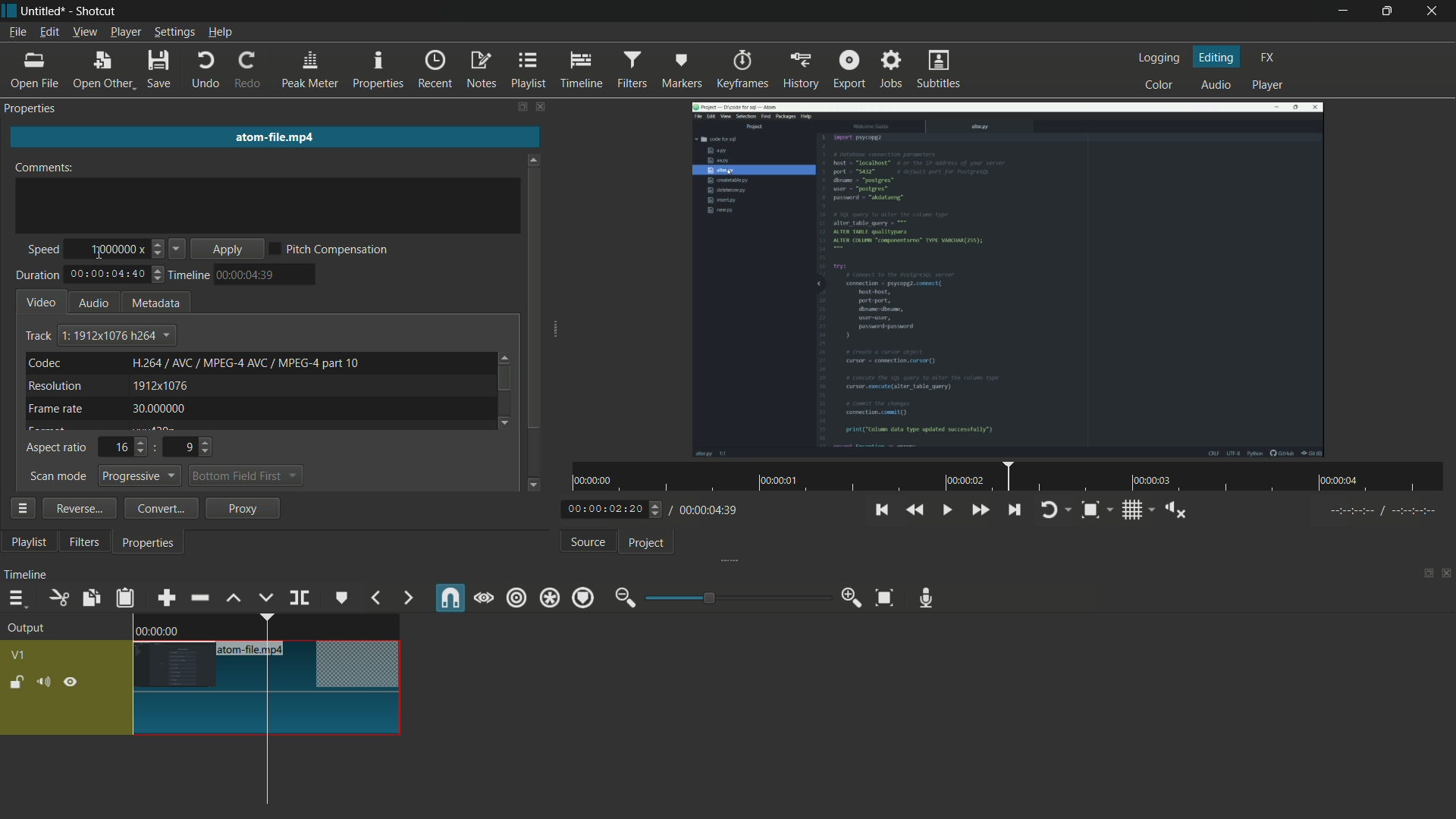 This screenshot has width=1456, height=819. Describe the element at coordinates (632, 69) in the screenshot. I see `filters` at that location.